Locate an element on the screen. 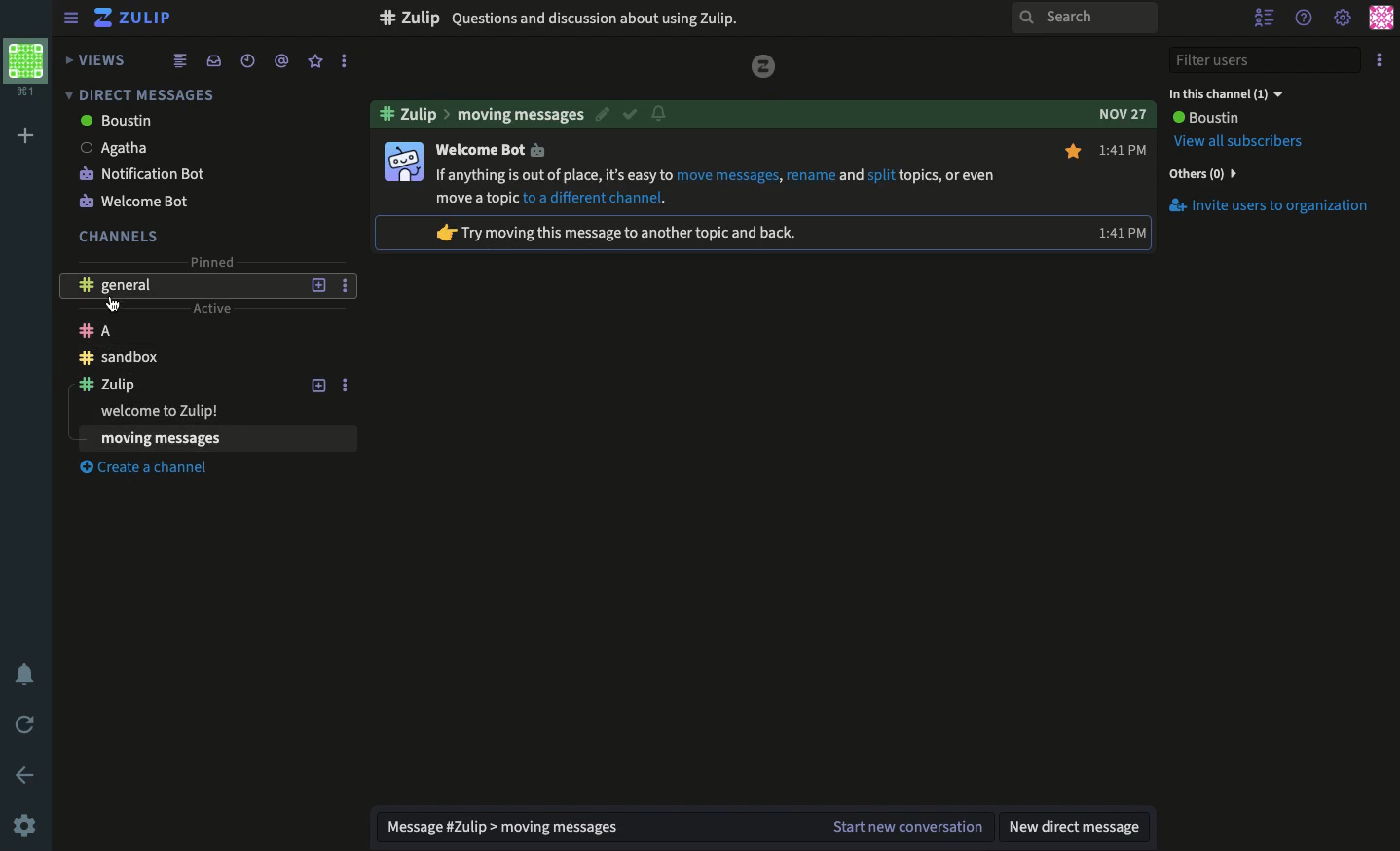 The image size is (1400, 851). In this channel is located at coordinates (1226, 93).